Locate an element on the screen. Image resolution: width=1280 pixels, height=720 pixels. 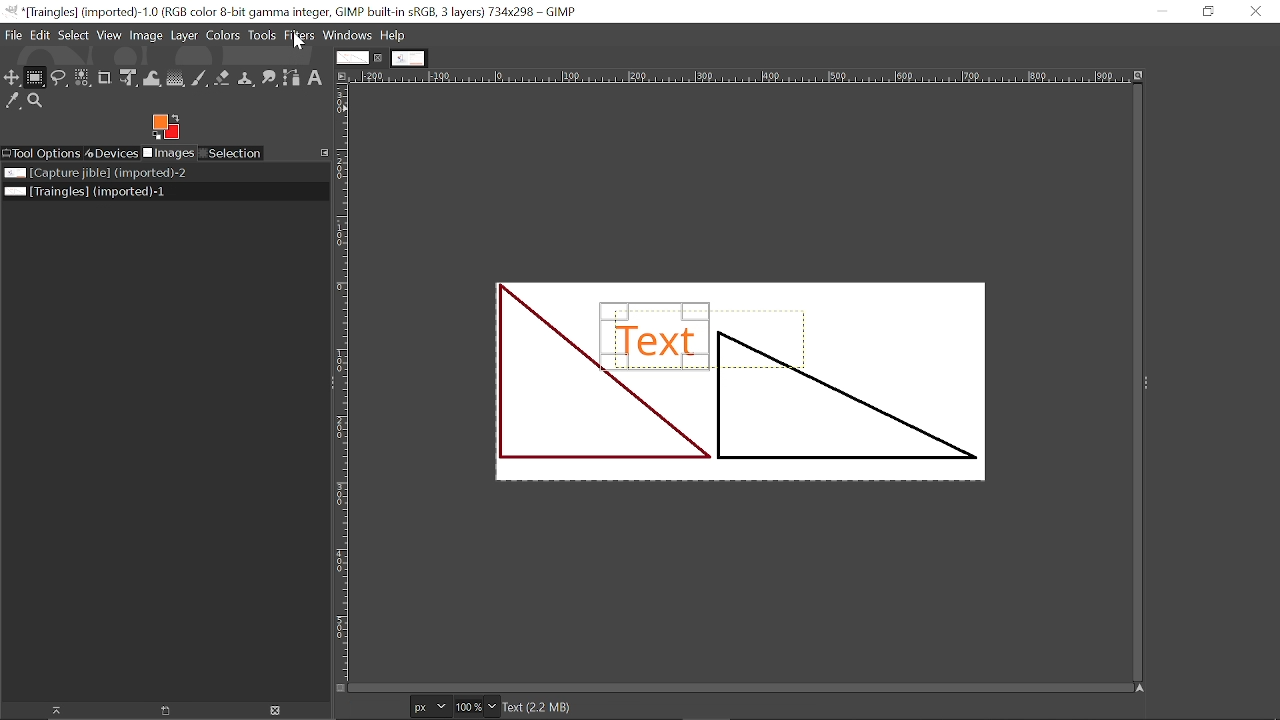
Zoom when window size changes is located at coordinates (1141, 76).